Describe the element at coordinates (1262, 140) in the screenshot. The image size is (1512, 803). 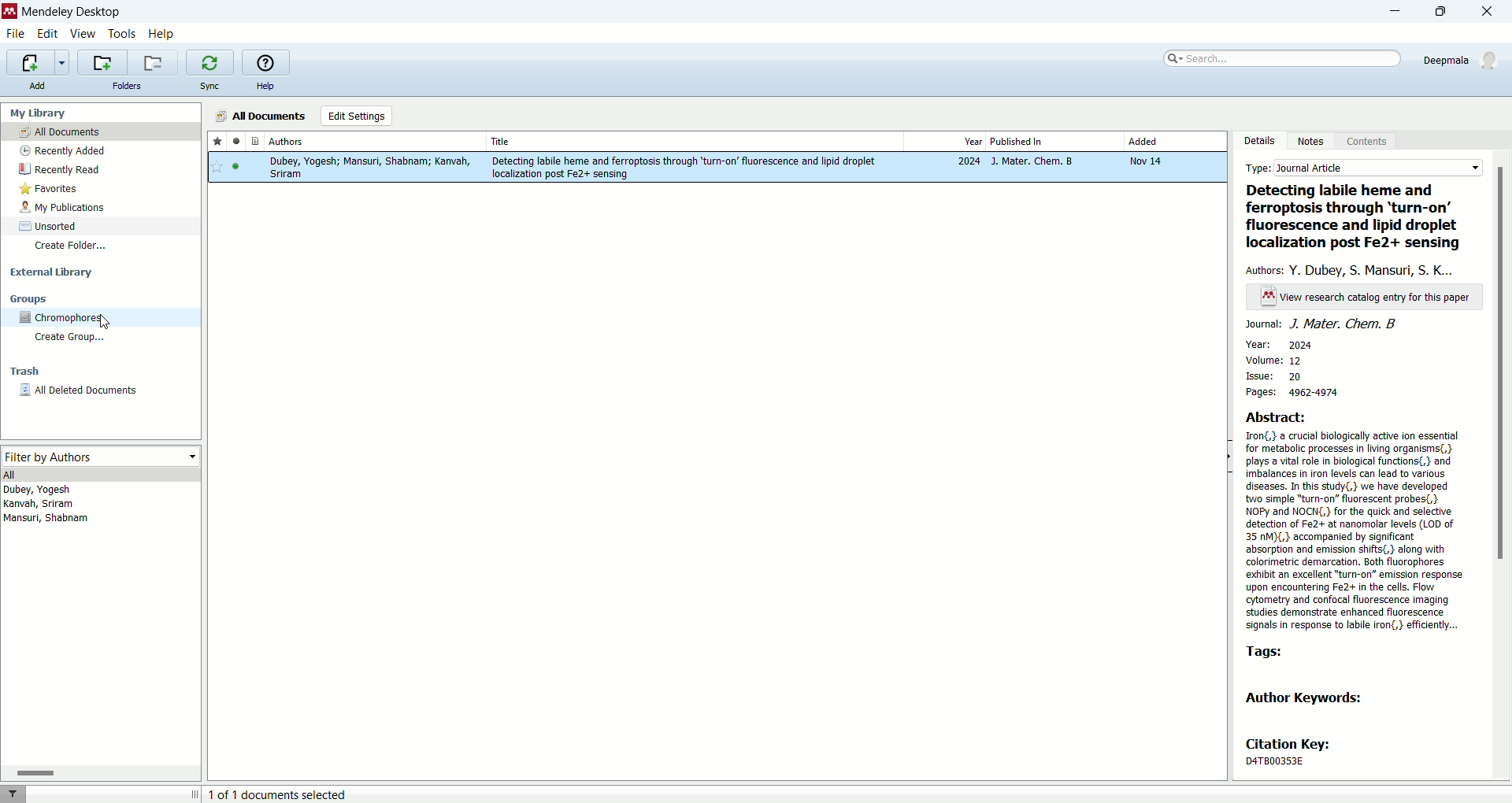
I see `details` at that location.